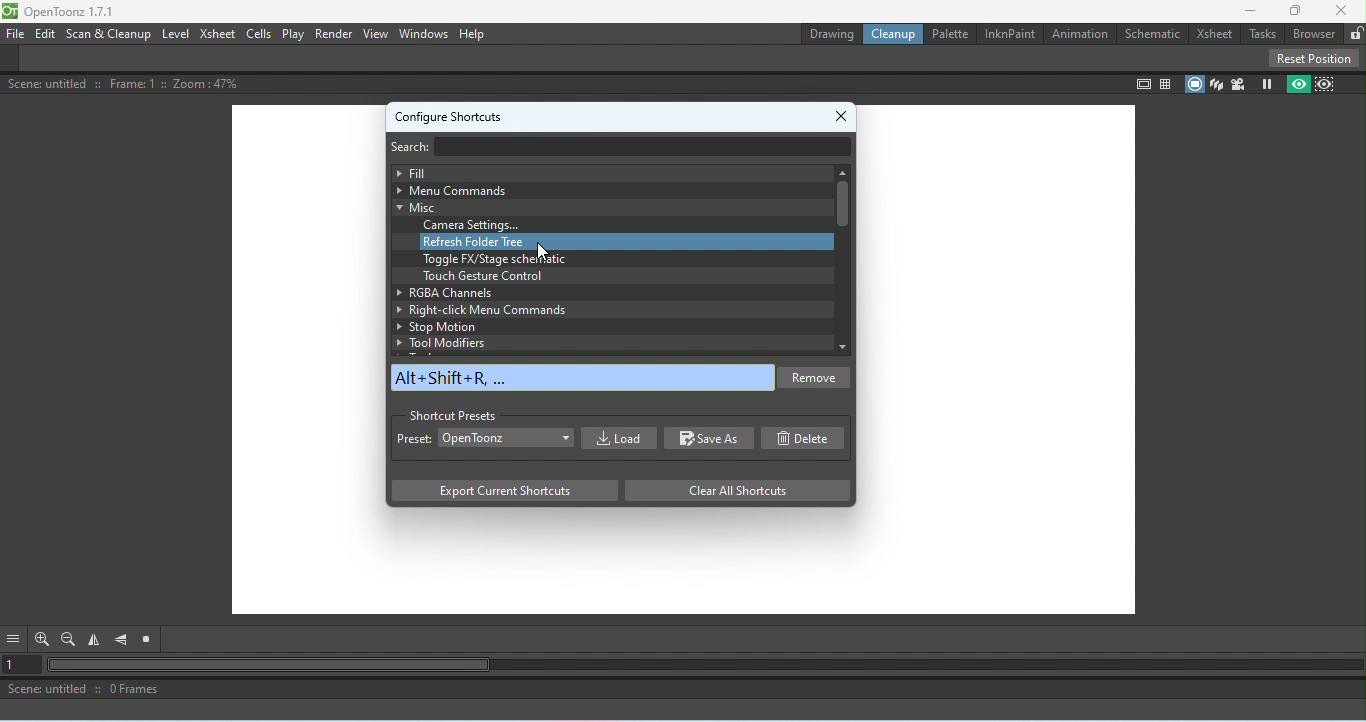  I want to click on Camera settings, so click(477, 225).